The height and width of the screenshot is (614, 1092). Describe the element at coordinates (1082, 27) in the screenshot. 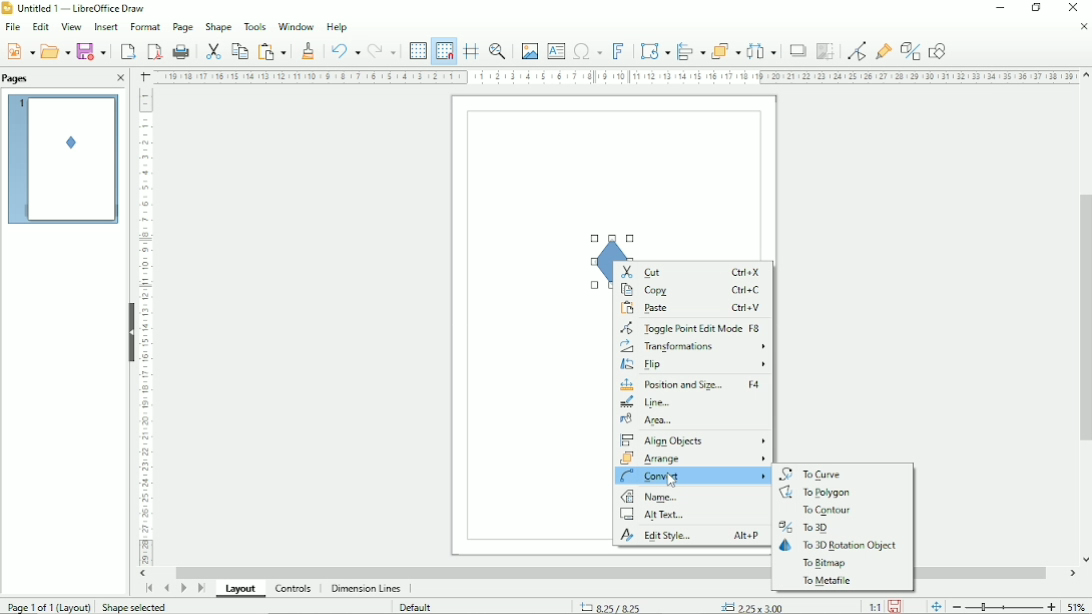

I see `Close` at that location.